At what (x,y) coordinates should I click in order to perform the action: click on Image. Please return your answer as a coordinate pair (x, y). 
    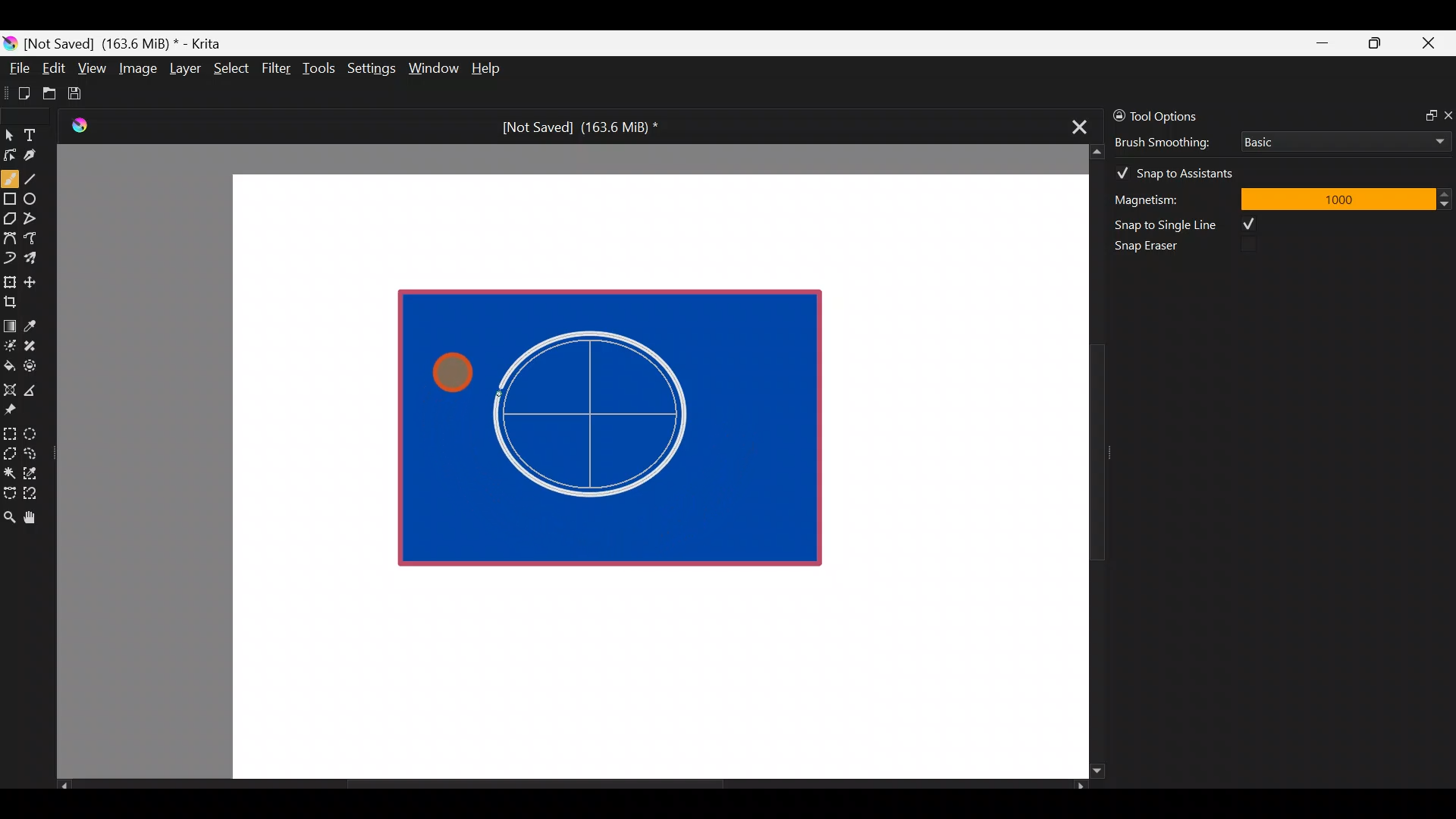
    Looking at the image, I should click on (137, 68).